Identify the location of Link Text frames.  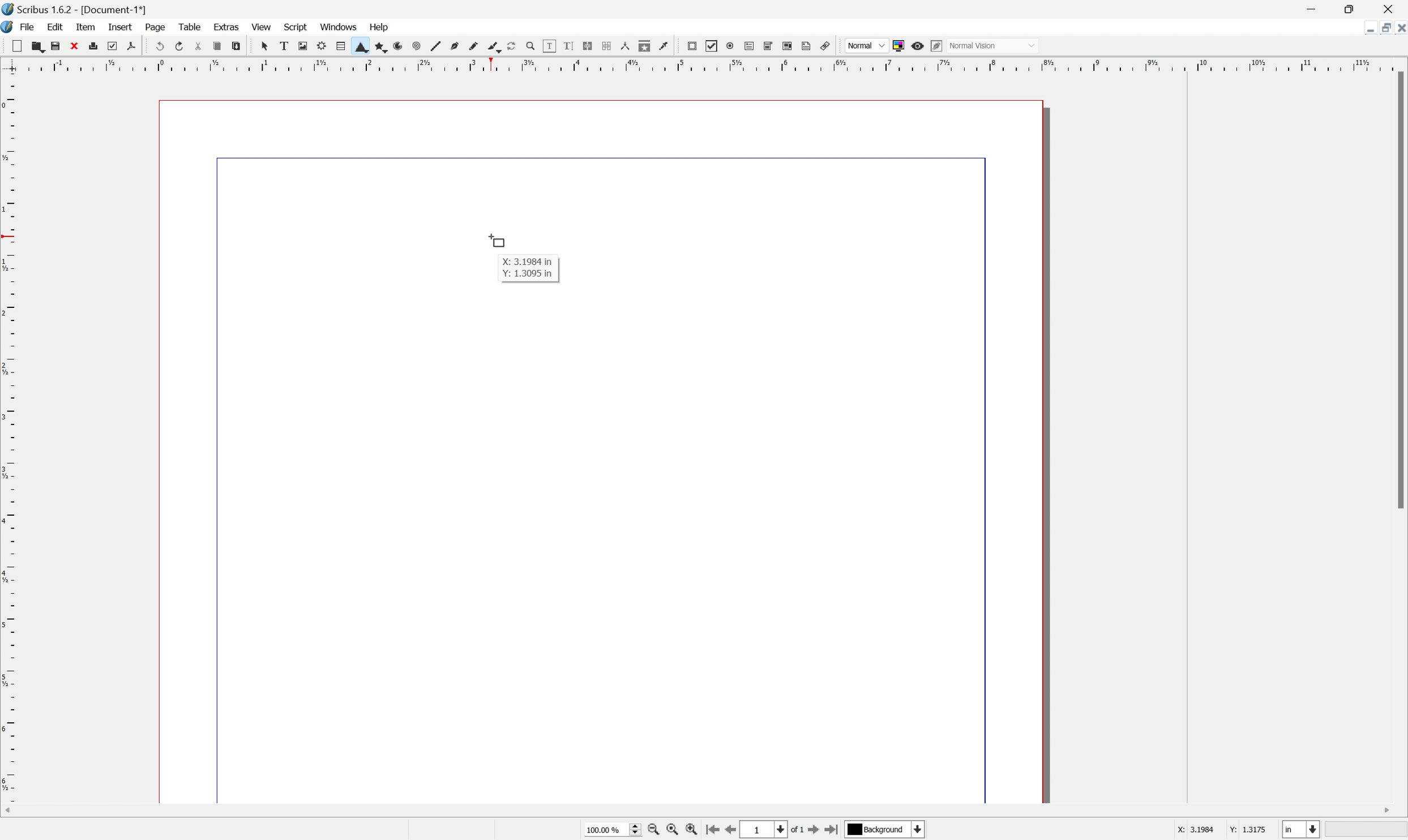
(585, 46).